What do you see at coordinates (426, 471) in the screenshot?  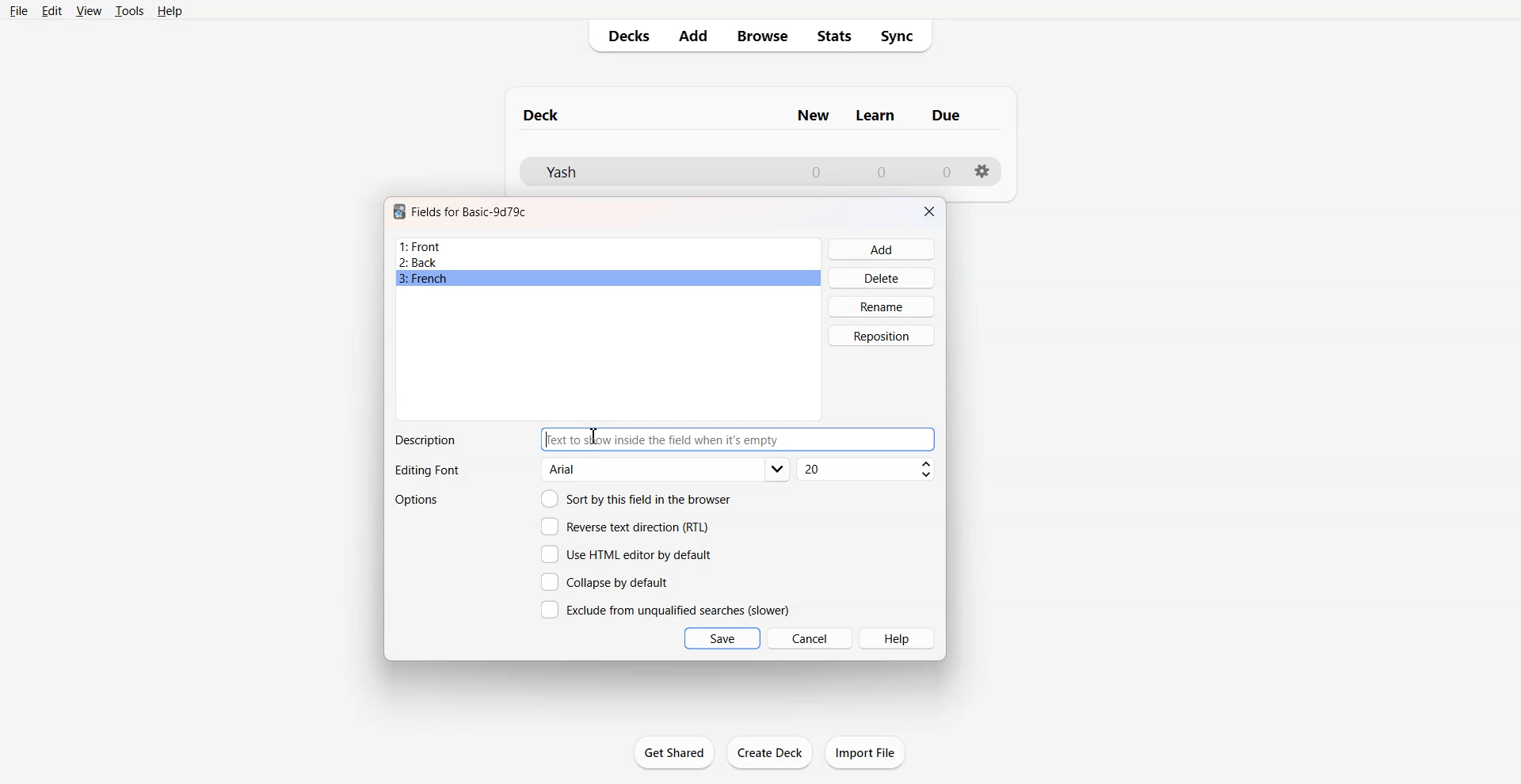 I see `Text` at bounding box center [426, 471].